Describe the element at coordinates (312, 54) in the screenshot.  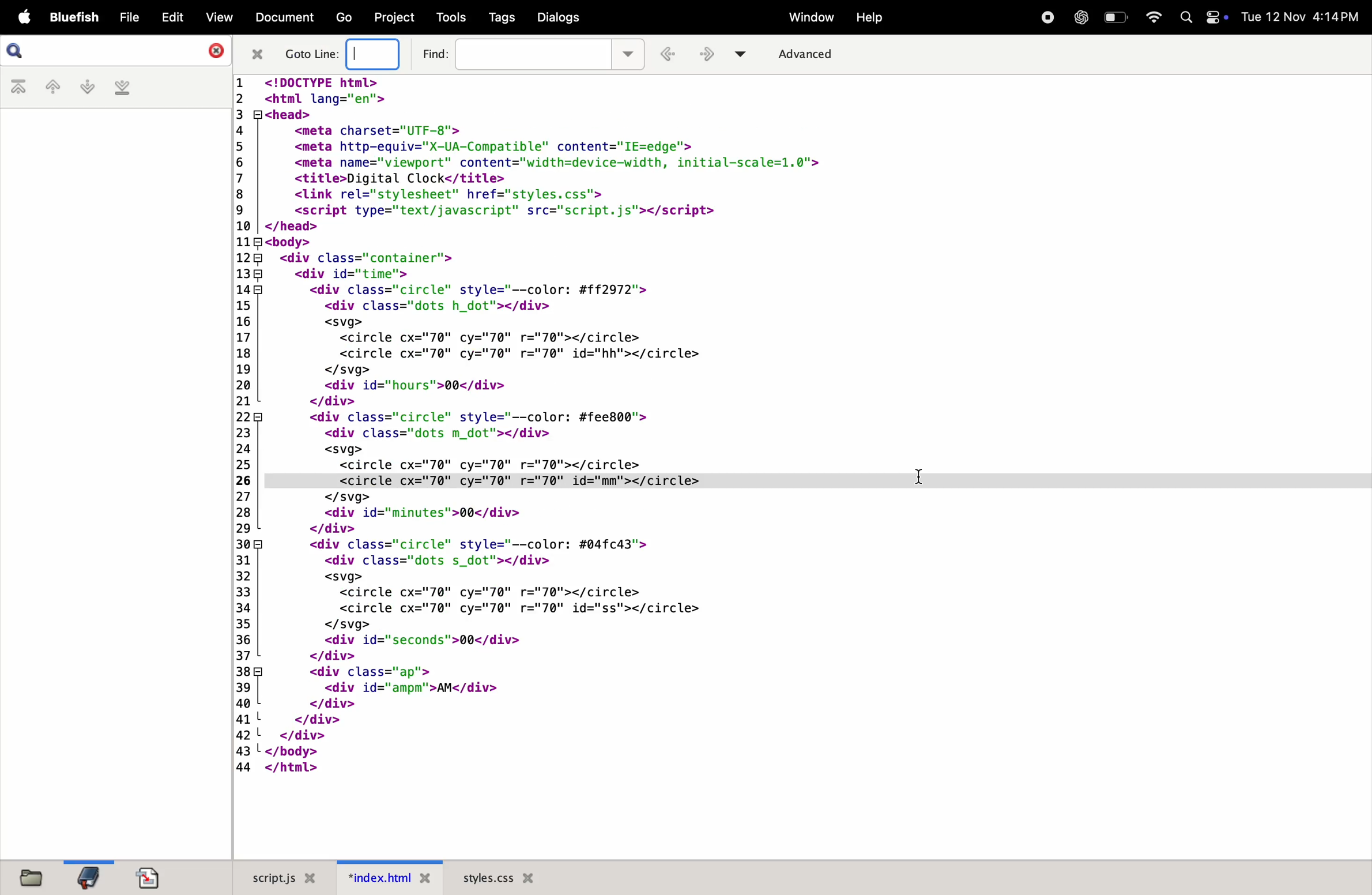
I see `goto line` at that location.